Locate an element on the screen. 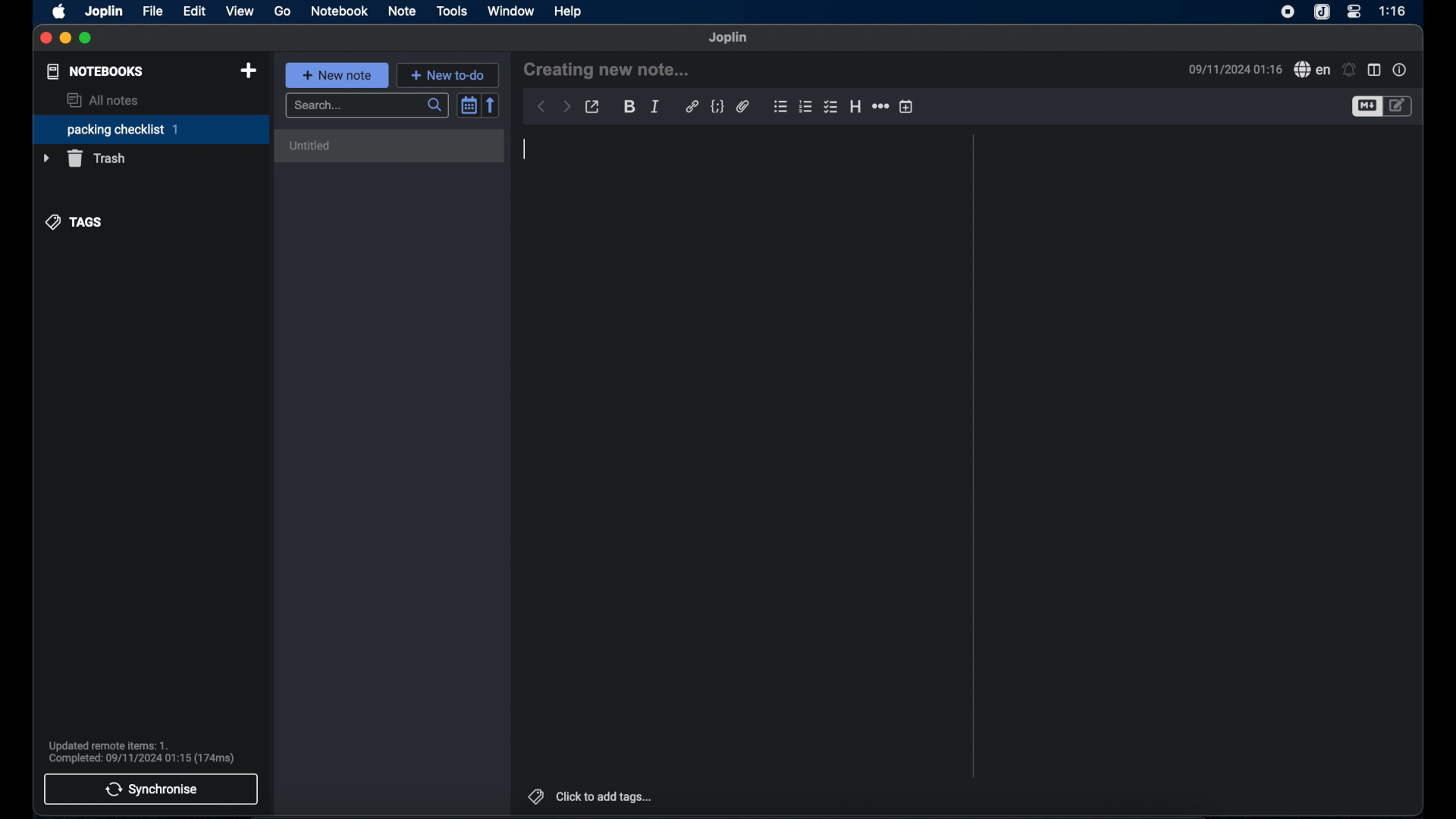 This screenshot has height=819, width=1456. new note is located at coordinates (337, 75).